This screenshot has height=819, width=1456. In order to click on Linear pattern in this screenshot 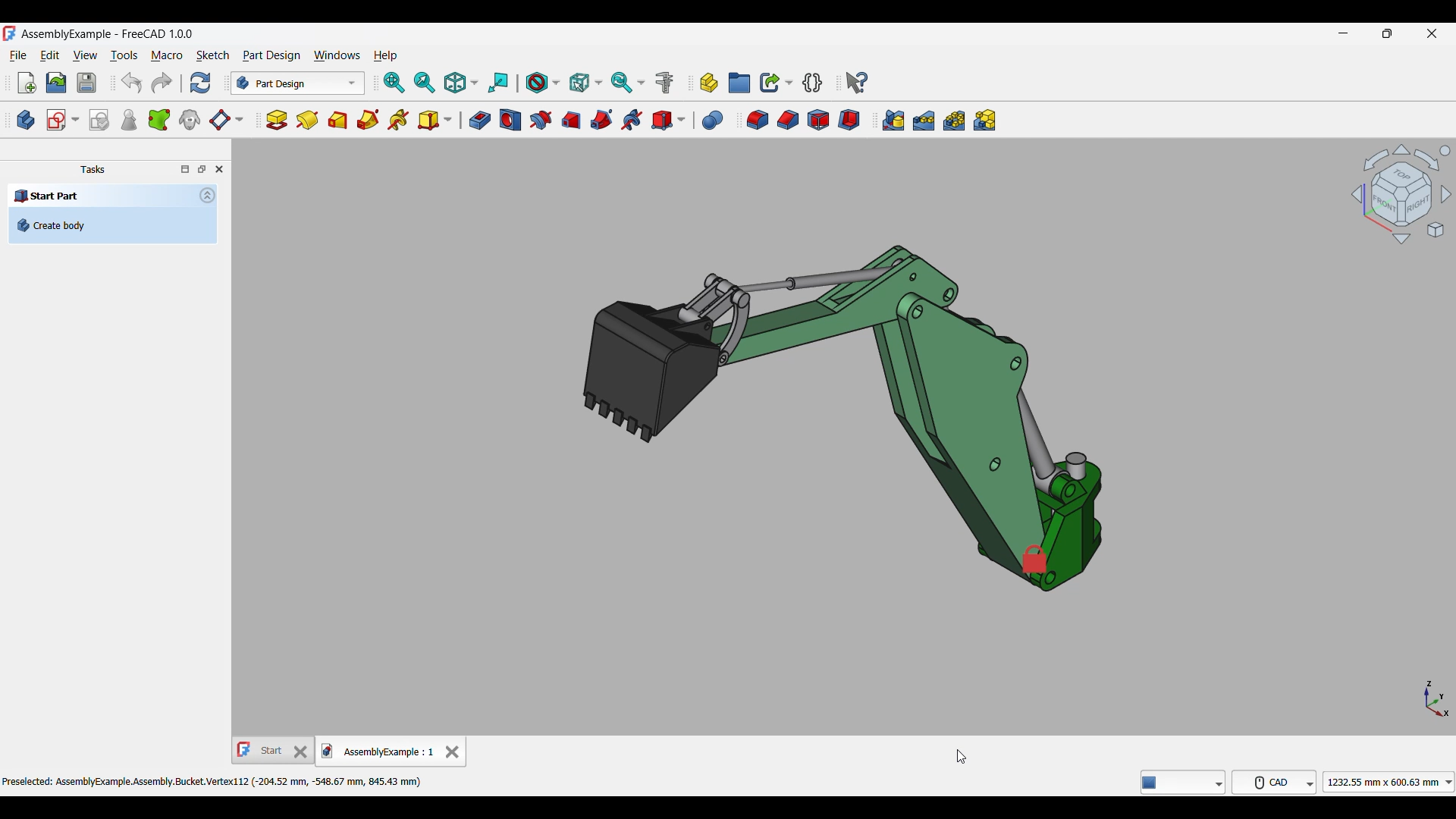, I will do `click(924, 121)`.